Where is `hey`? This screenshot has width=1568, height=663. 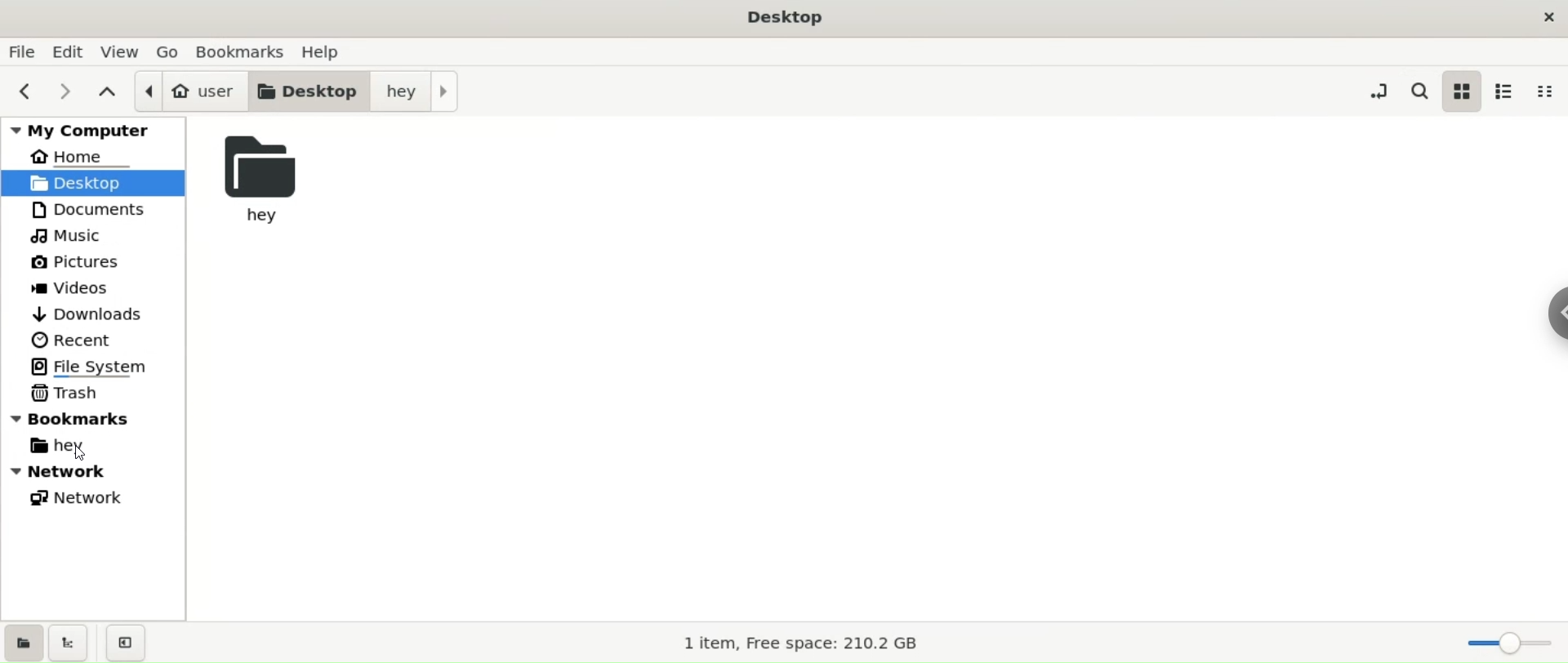
hey is located at coordinates (100, 447).